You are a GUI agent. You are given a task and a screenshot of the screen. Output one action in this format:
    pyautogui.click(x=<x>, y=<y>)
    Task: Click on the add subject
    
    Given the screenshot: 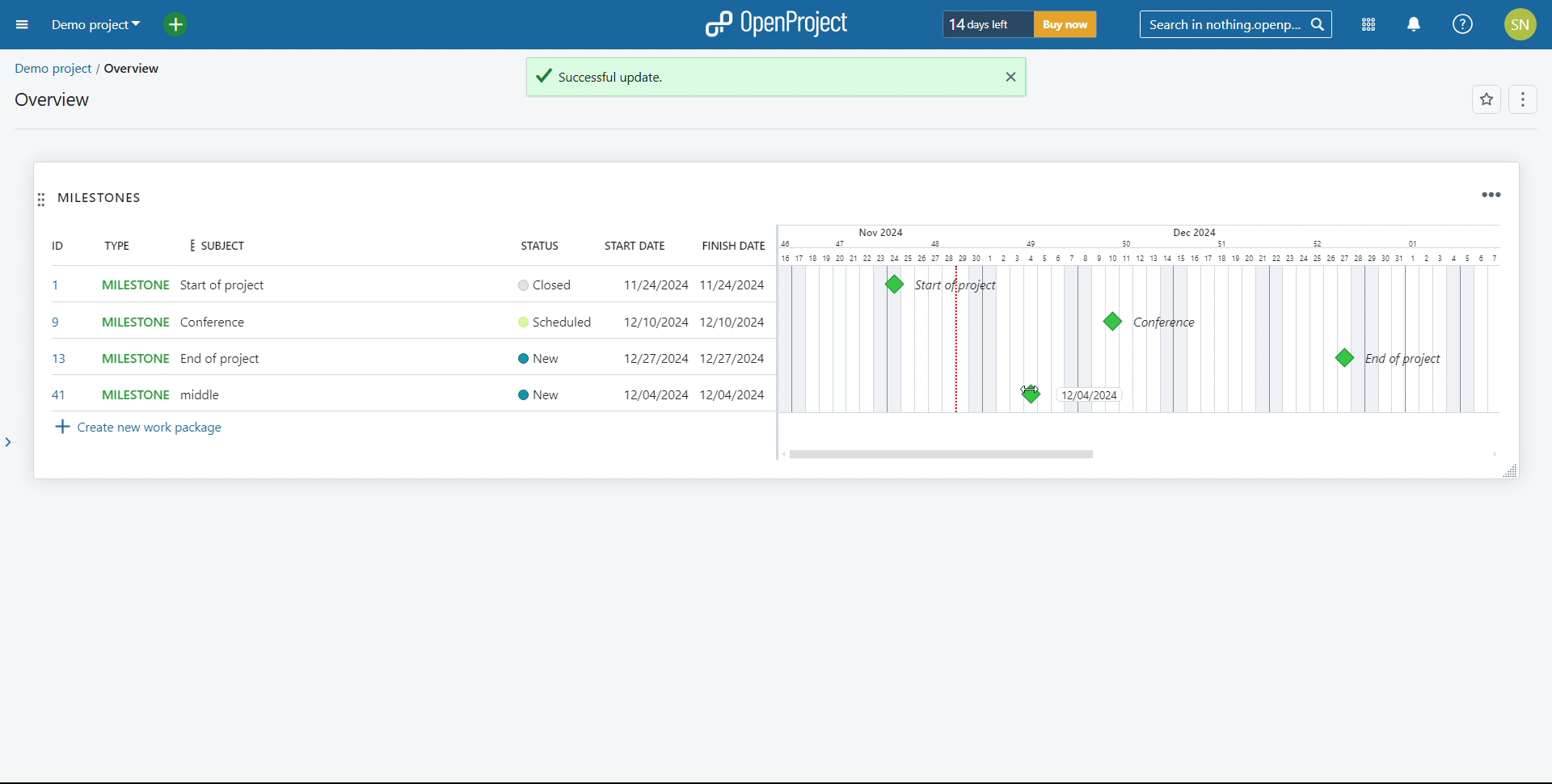 What is the action you would take?
    pyautogui.click(x=226, y=340)
    